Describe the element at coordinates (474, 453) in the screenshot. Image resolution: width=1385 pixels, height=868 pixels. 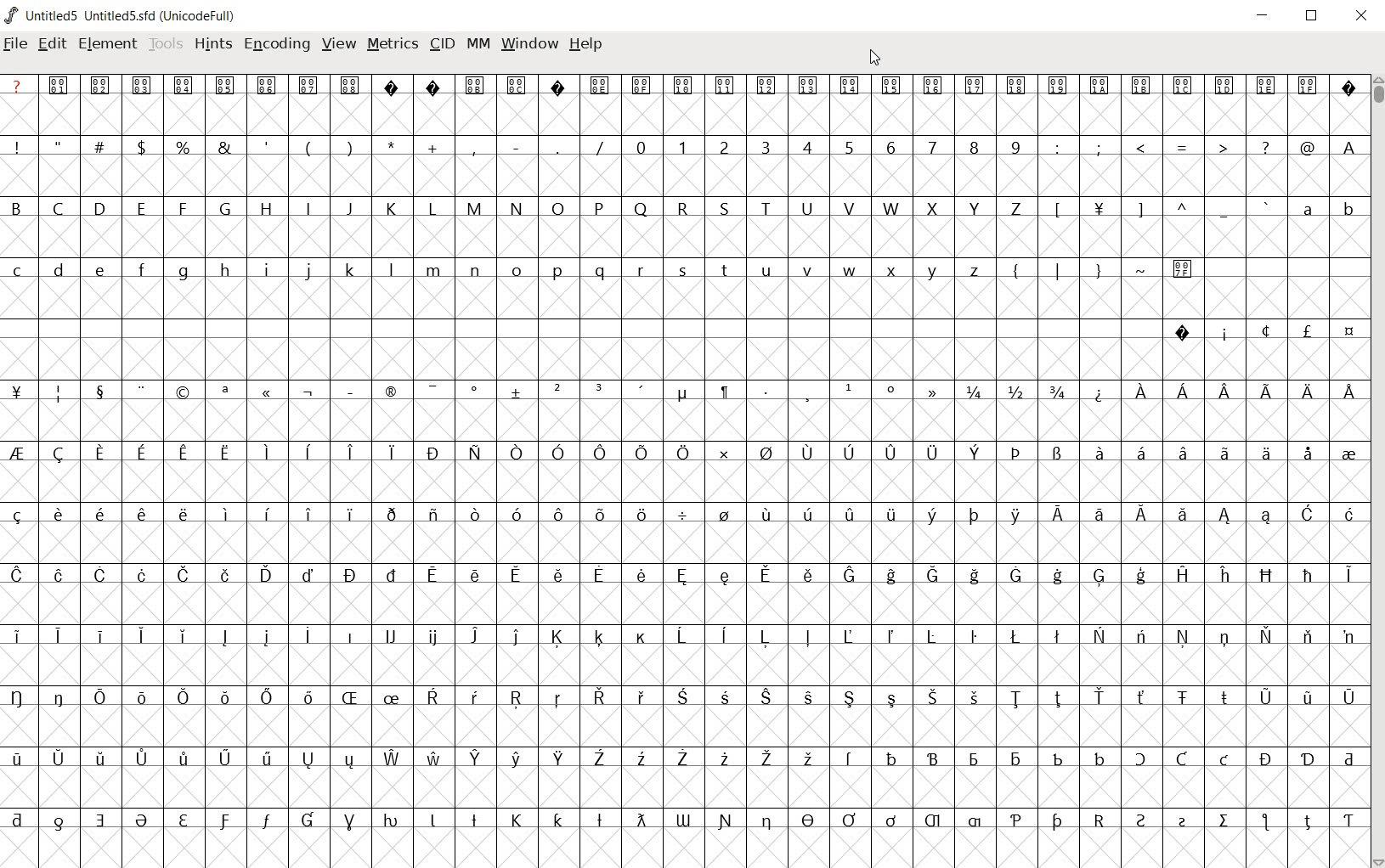
I see `Symbol` at that location.